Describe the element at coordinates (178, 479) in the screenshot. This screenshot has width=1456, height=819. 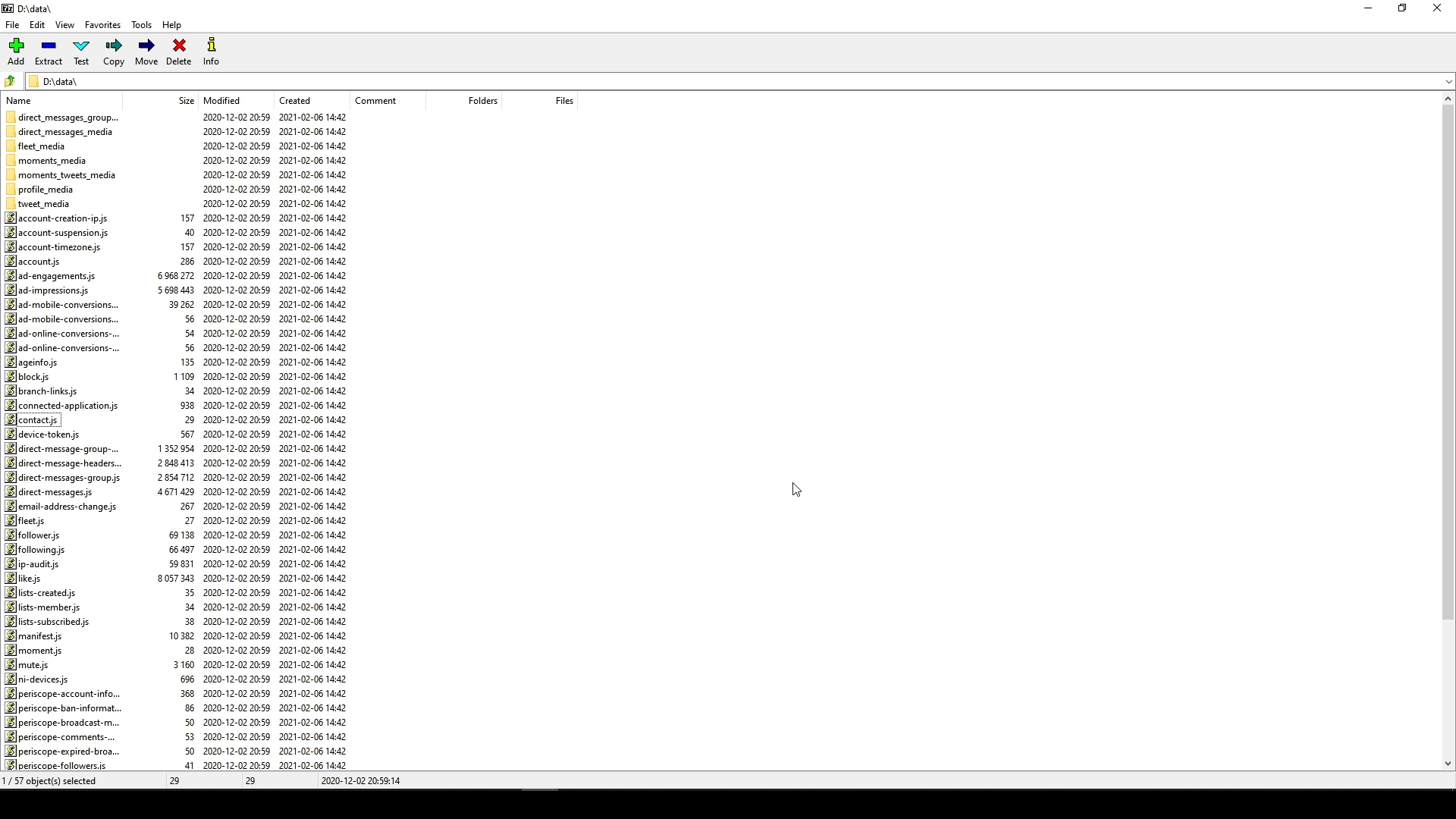
I see `size` at that location.